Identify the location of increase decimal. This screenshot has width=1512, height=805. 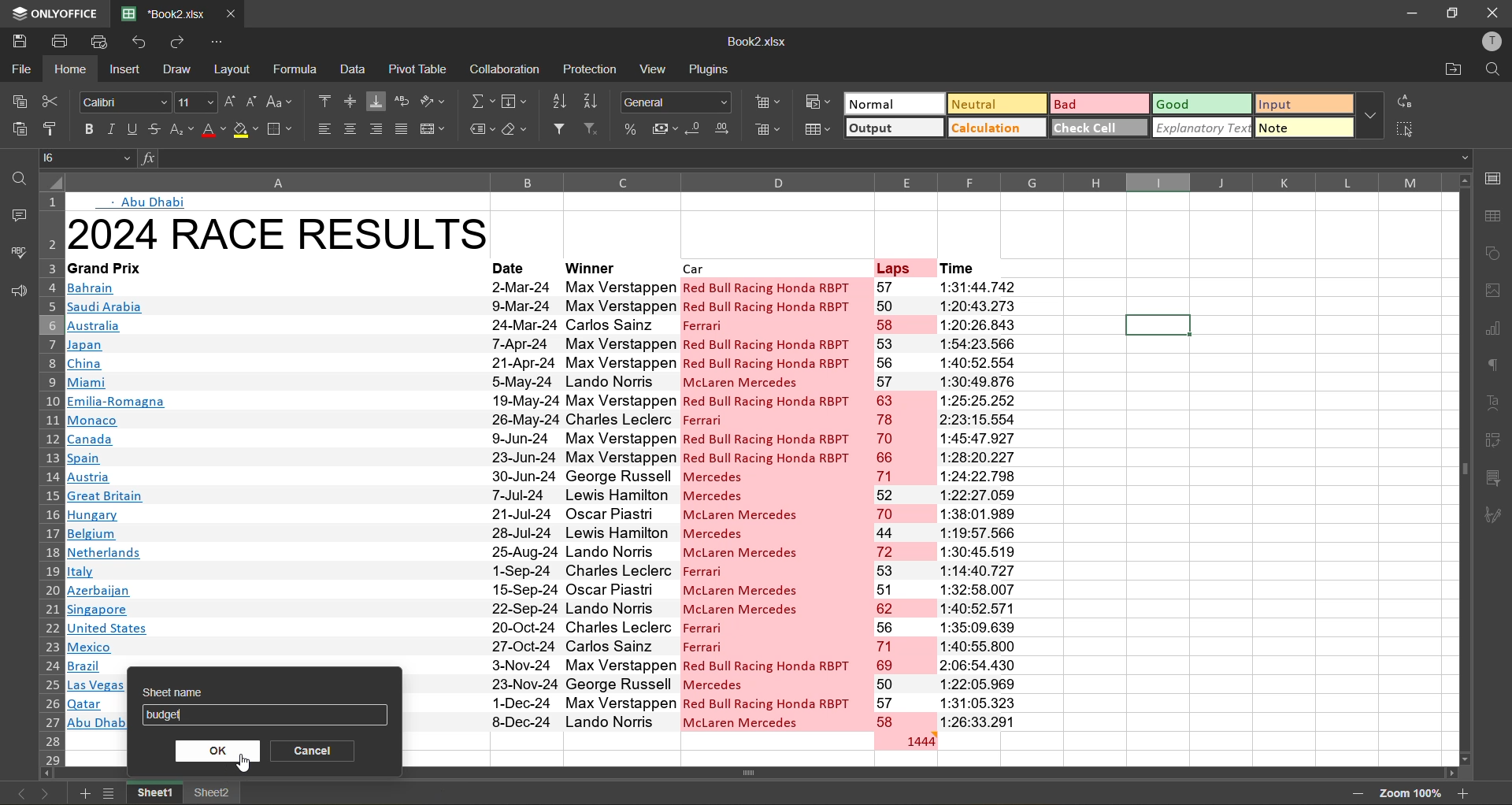
(726, 129).